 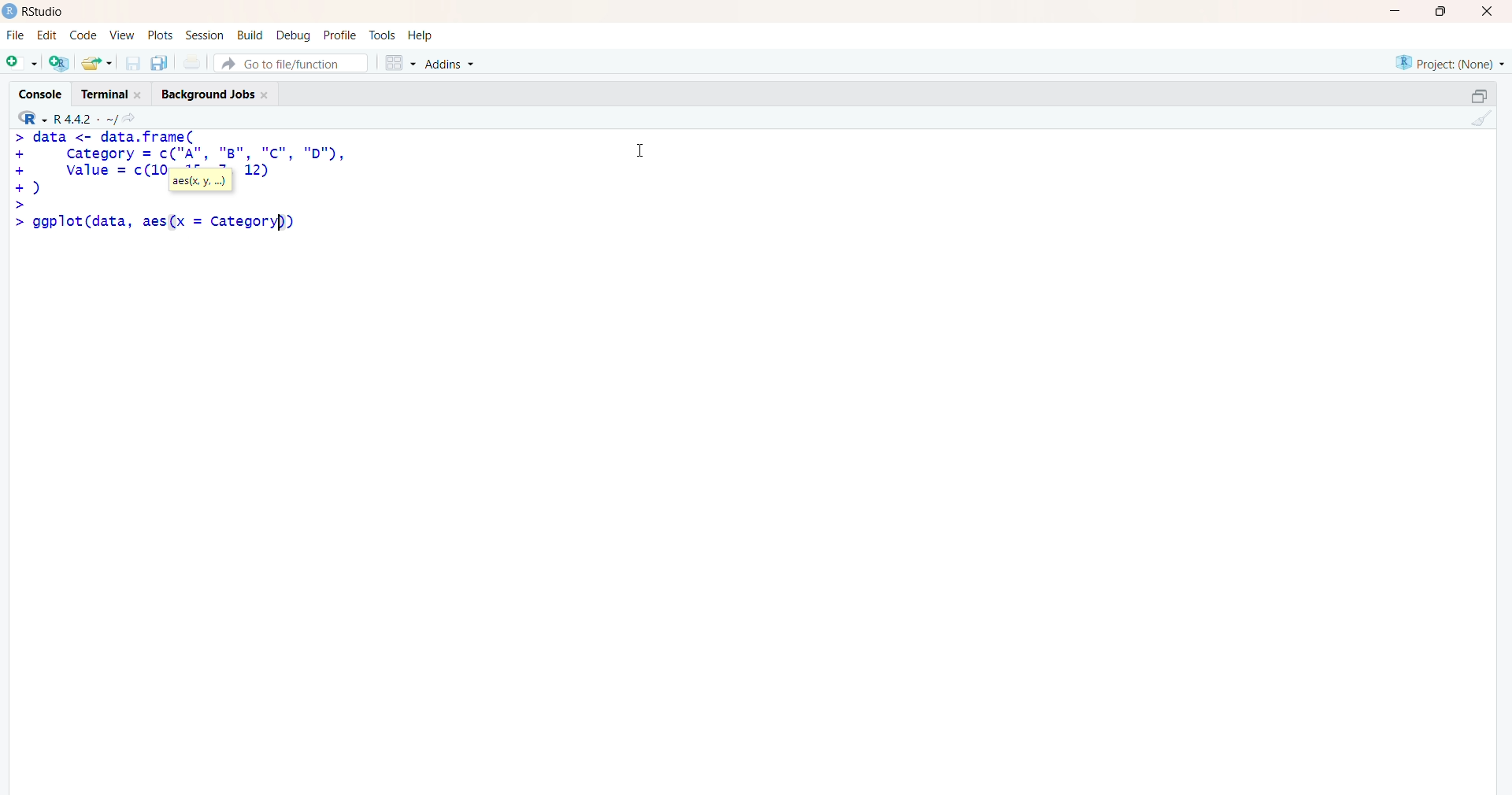 What do you see at coordinates (21, 61) in the screenshot?
I see `new file` at bounding box center [21, 61].